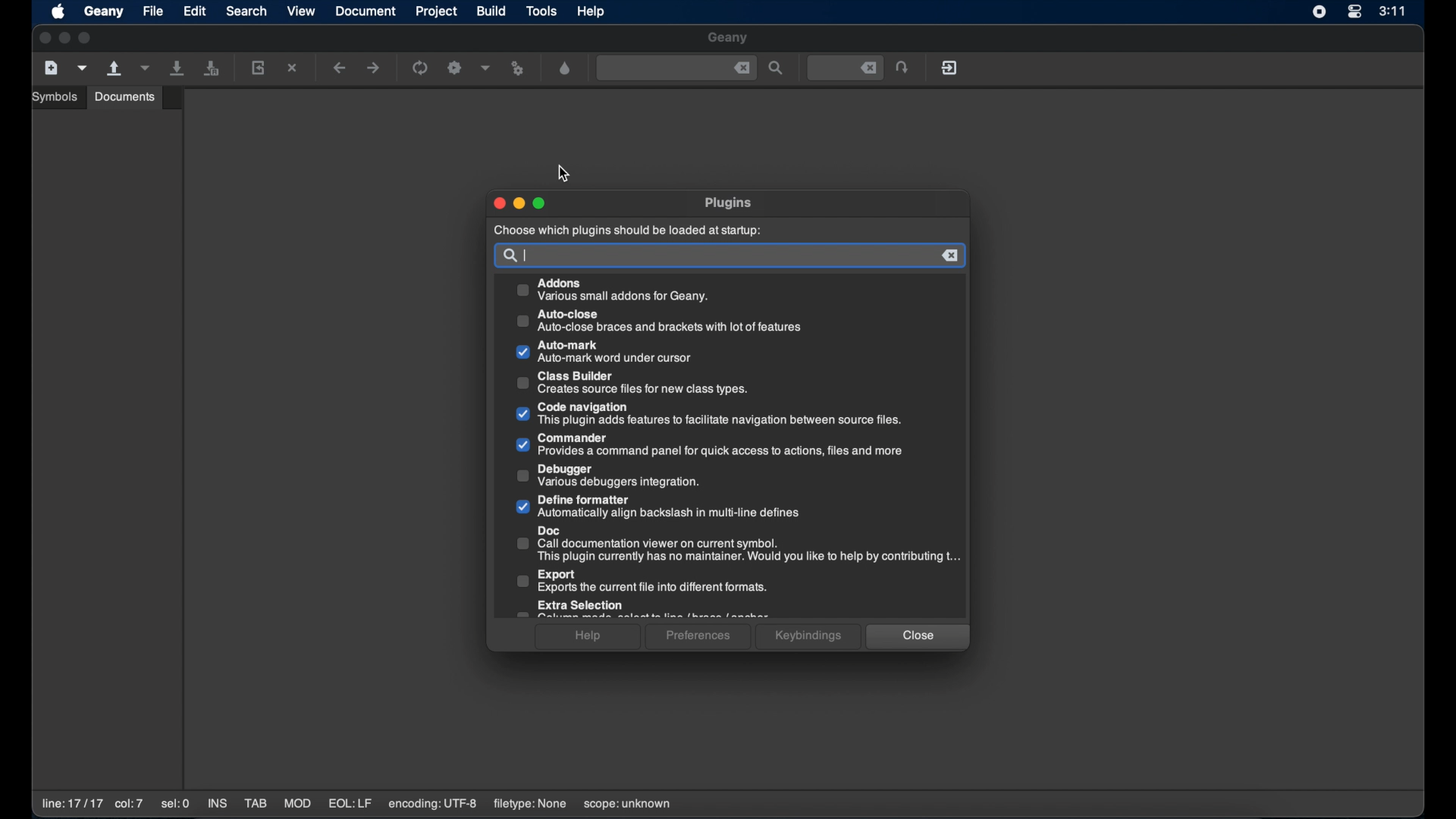  What do you see at coordinates (951, 67) in the screenshot?
I see `quit geany` at bounding box center [951, 67].